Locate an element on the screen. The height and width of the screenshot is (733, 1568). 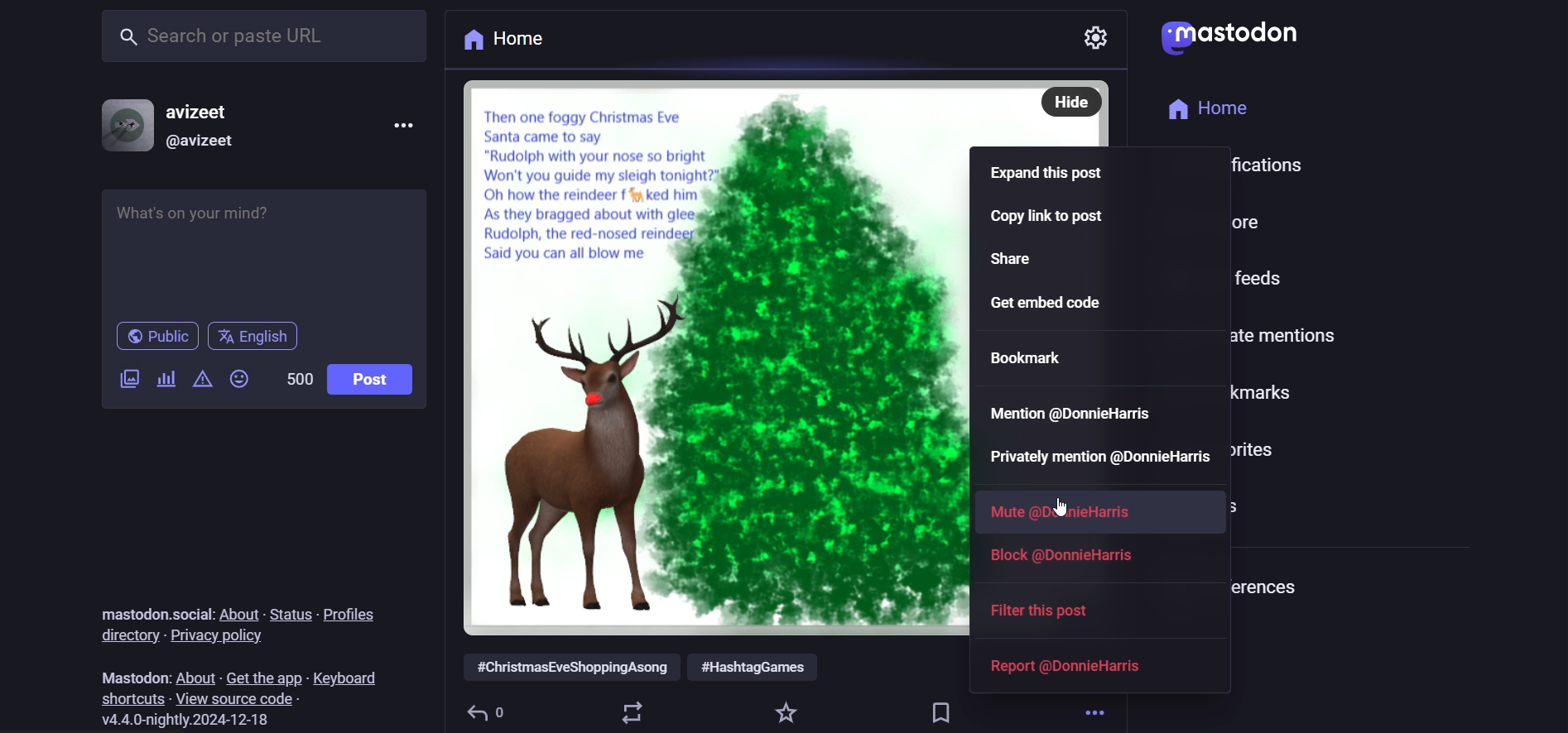
profile picture is located at coordinates (127, 122).